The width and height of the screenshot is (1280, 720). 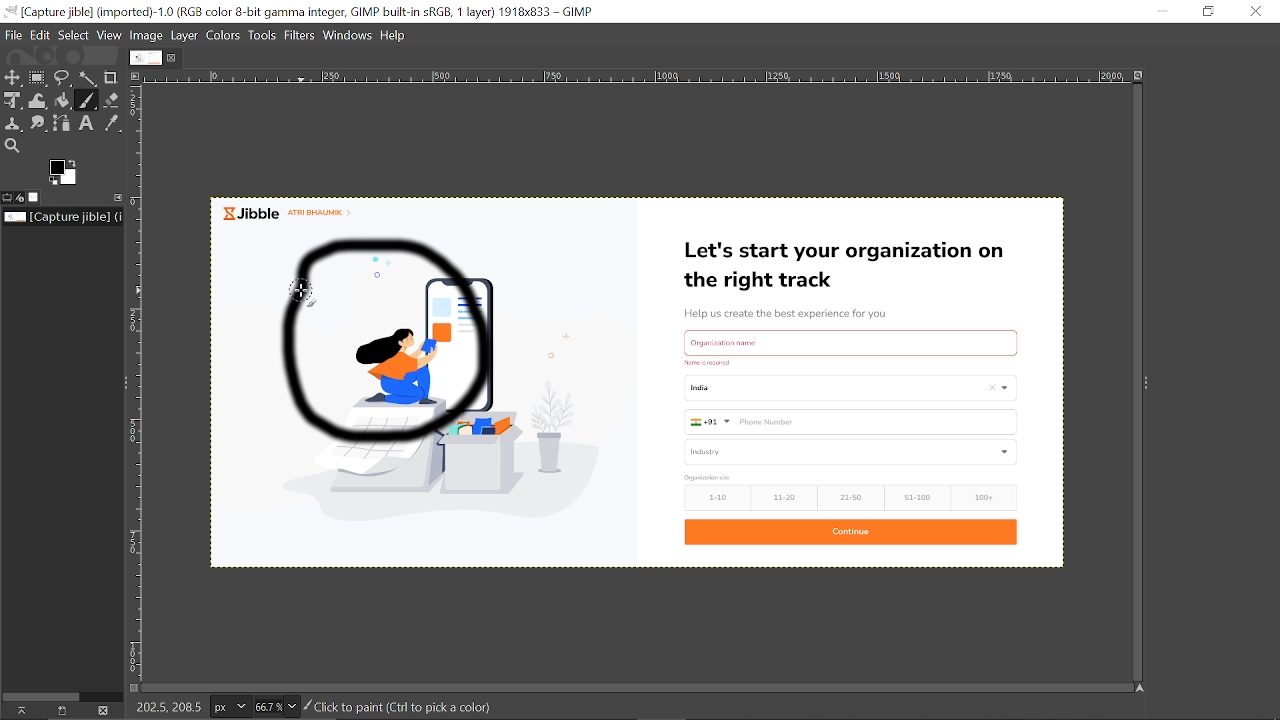 What do you see at coordinates (225, 36) in the screenshot?
I see `Colors` at bounding box center [225, 36].